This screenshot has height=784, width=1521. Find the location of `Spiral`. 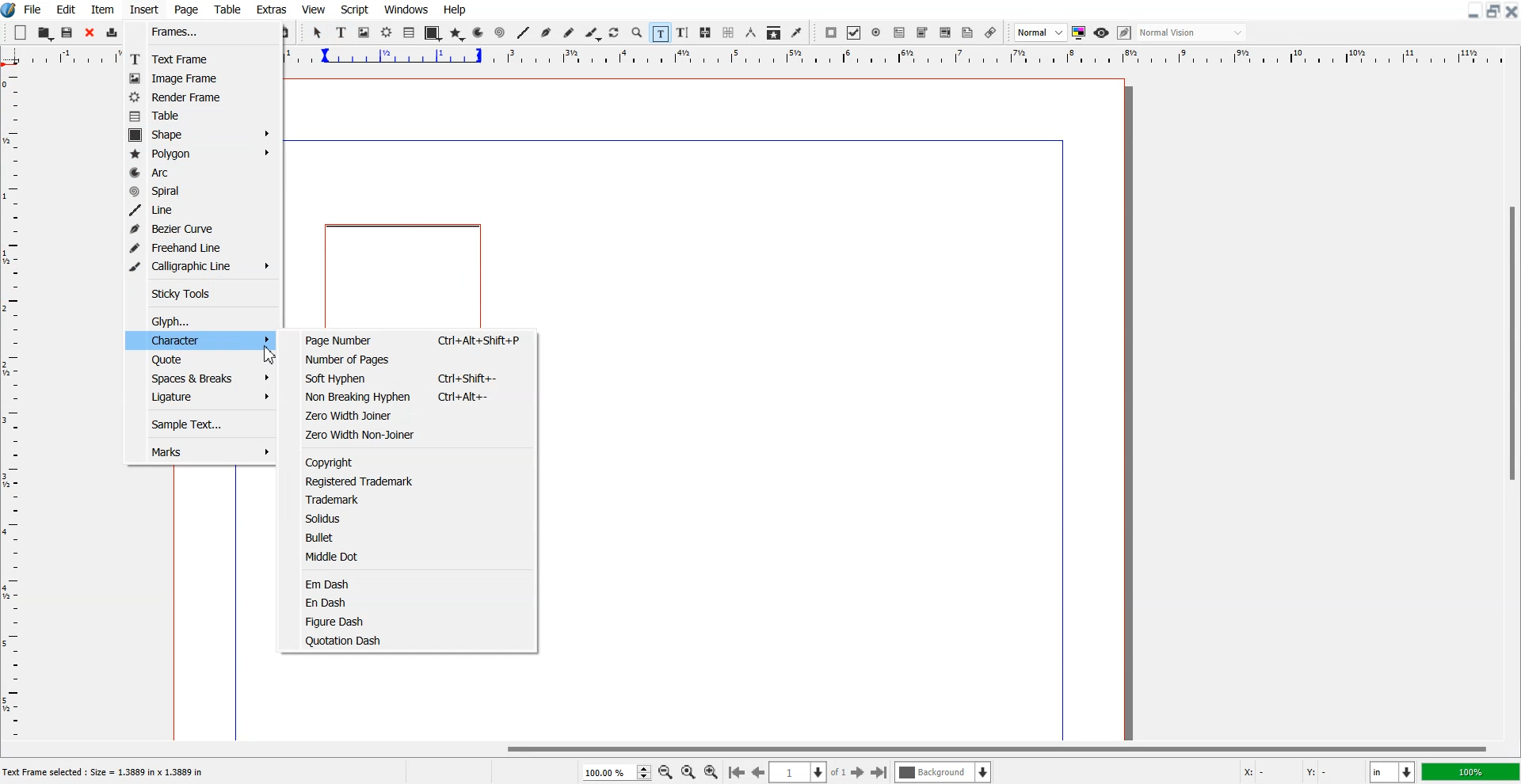

Spiral is located at coordinates (499, 33).